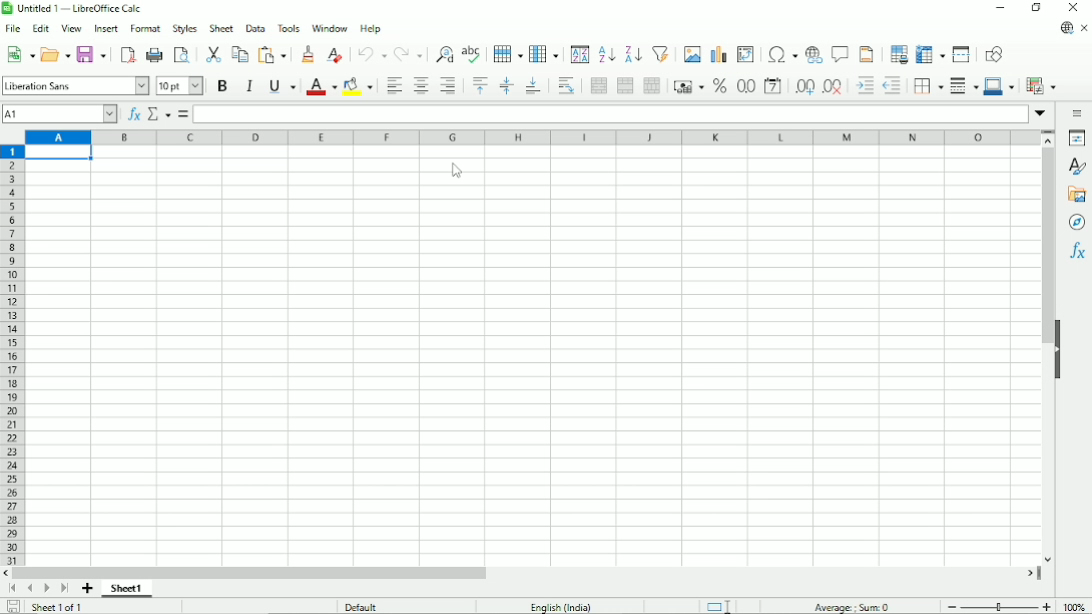 Image resolution: width=1092 pixels, height=614 pixels. I want to click on Add decimal place, so click(804, 88).